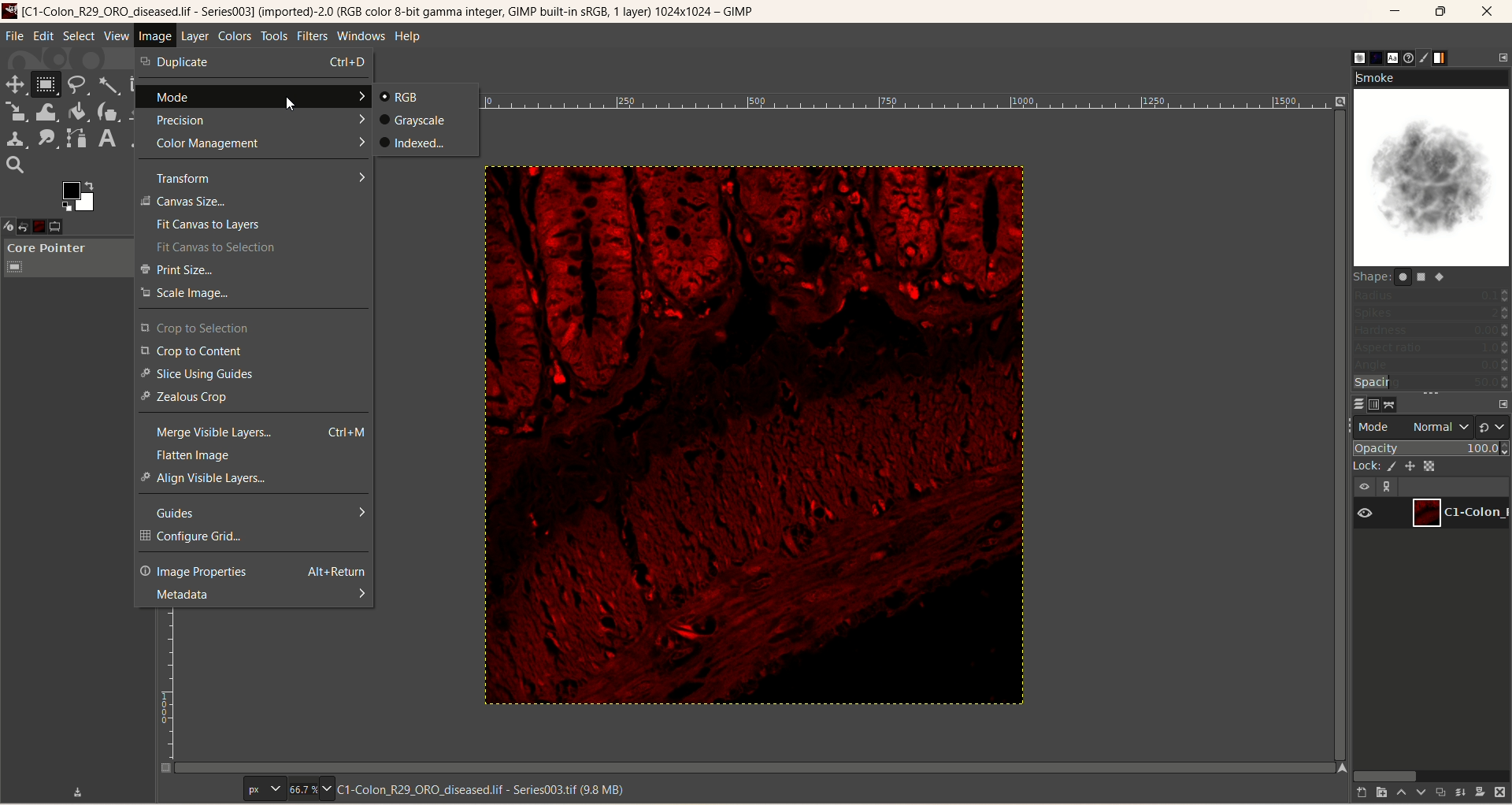 The image size is (1512, 805). I want to click on configure grid, so click(254, 537).